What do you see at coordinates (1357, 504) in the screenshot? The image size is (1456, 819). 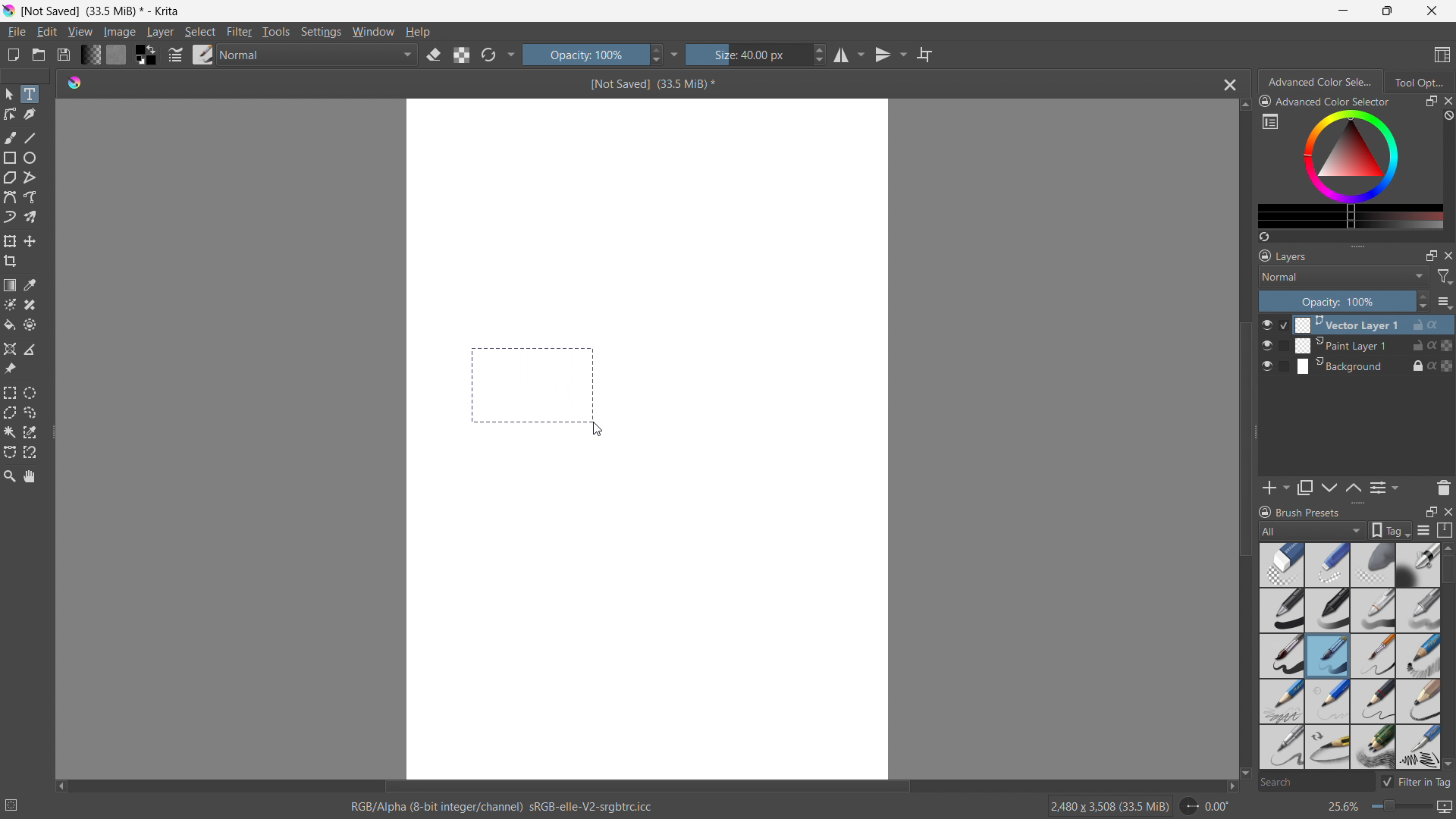 I see `resize ` at bounding box center [1357, 504].